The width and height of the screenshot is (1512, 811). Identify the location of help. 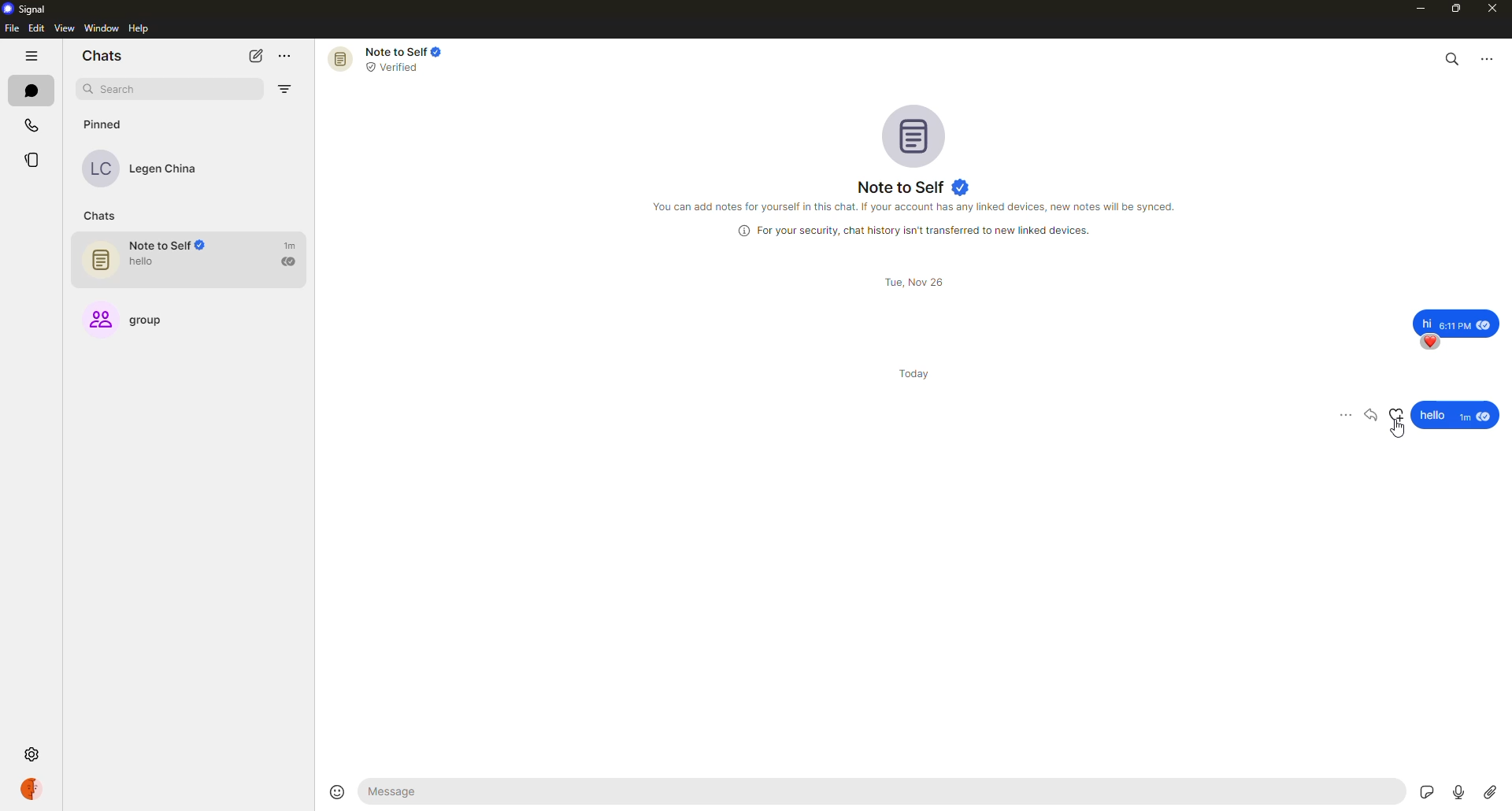
(139, 29).